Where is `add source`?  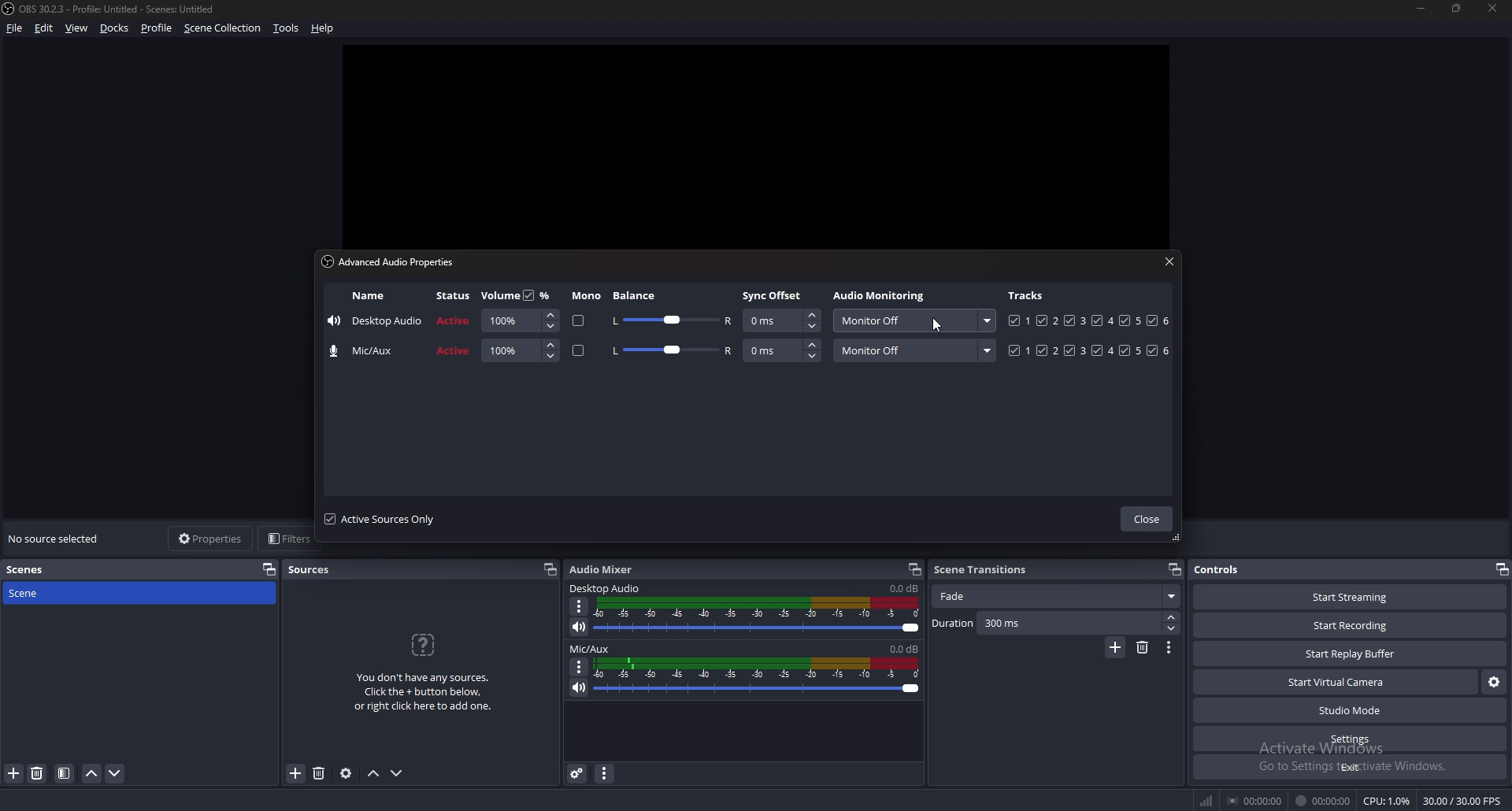
add source is located at coordinates (296, 773).